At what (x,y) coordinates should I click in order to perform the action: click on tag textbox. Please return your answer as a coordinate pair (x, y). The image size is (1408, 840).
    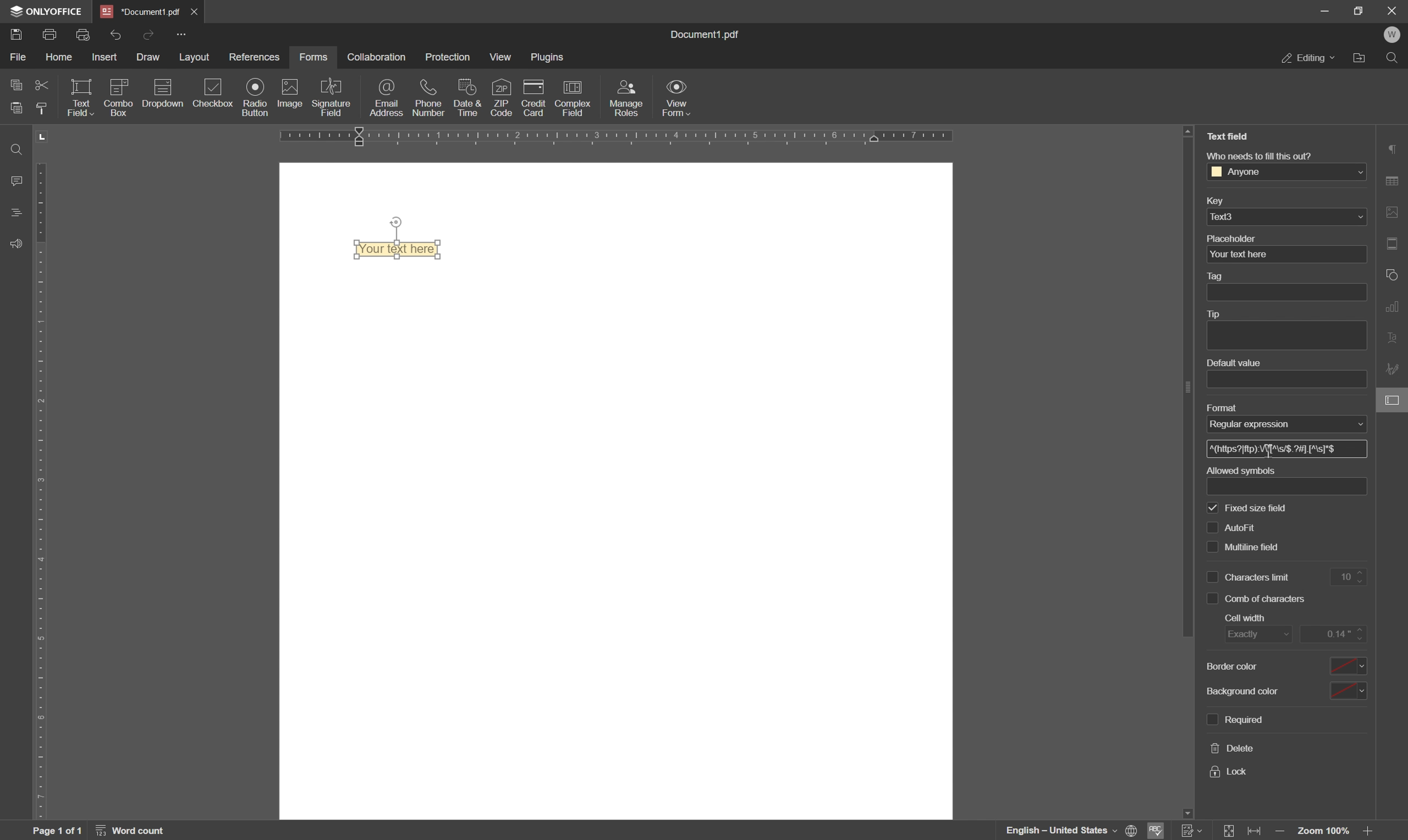
    Looking at the image, I should click on (1291, 292).